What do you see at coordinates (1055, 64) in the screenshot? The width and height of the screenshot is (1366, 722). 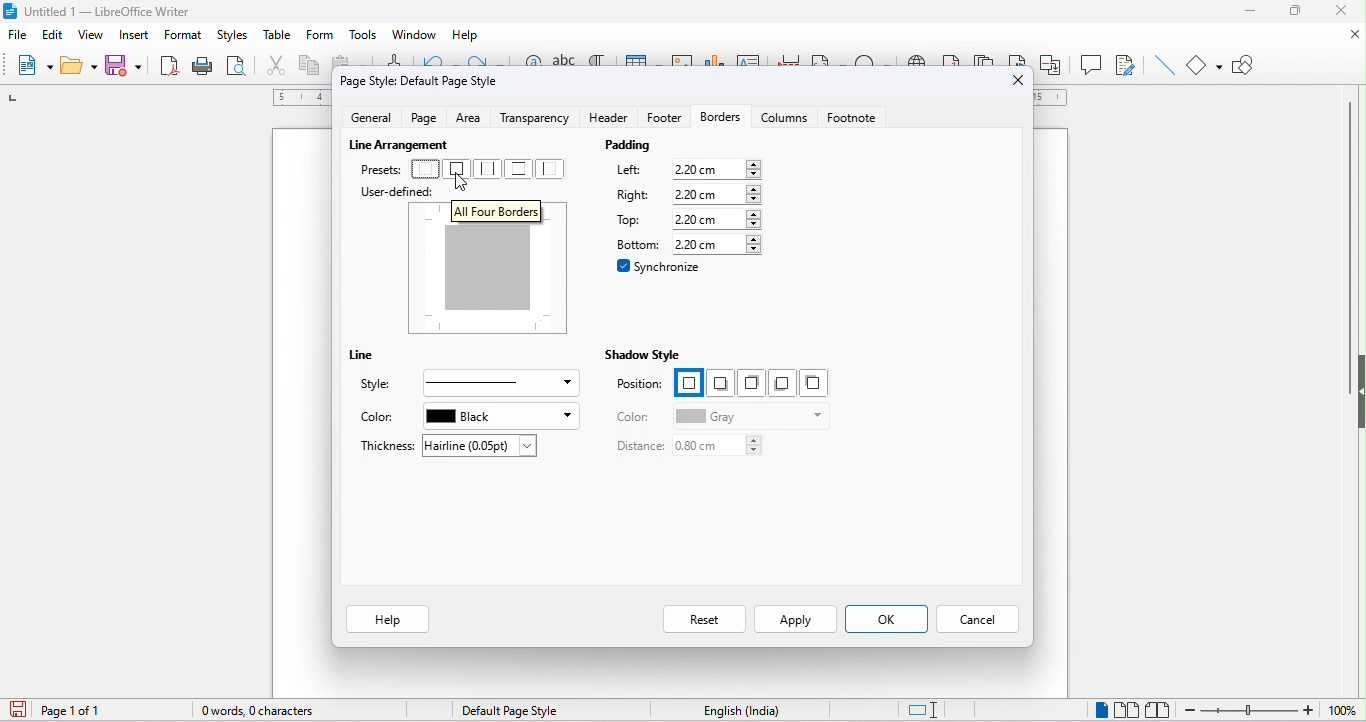 I see `cross reference` at bounding box center [1055, 64].